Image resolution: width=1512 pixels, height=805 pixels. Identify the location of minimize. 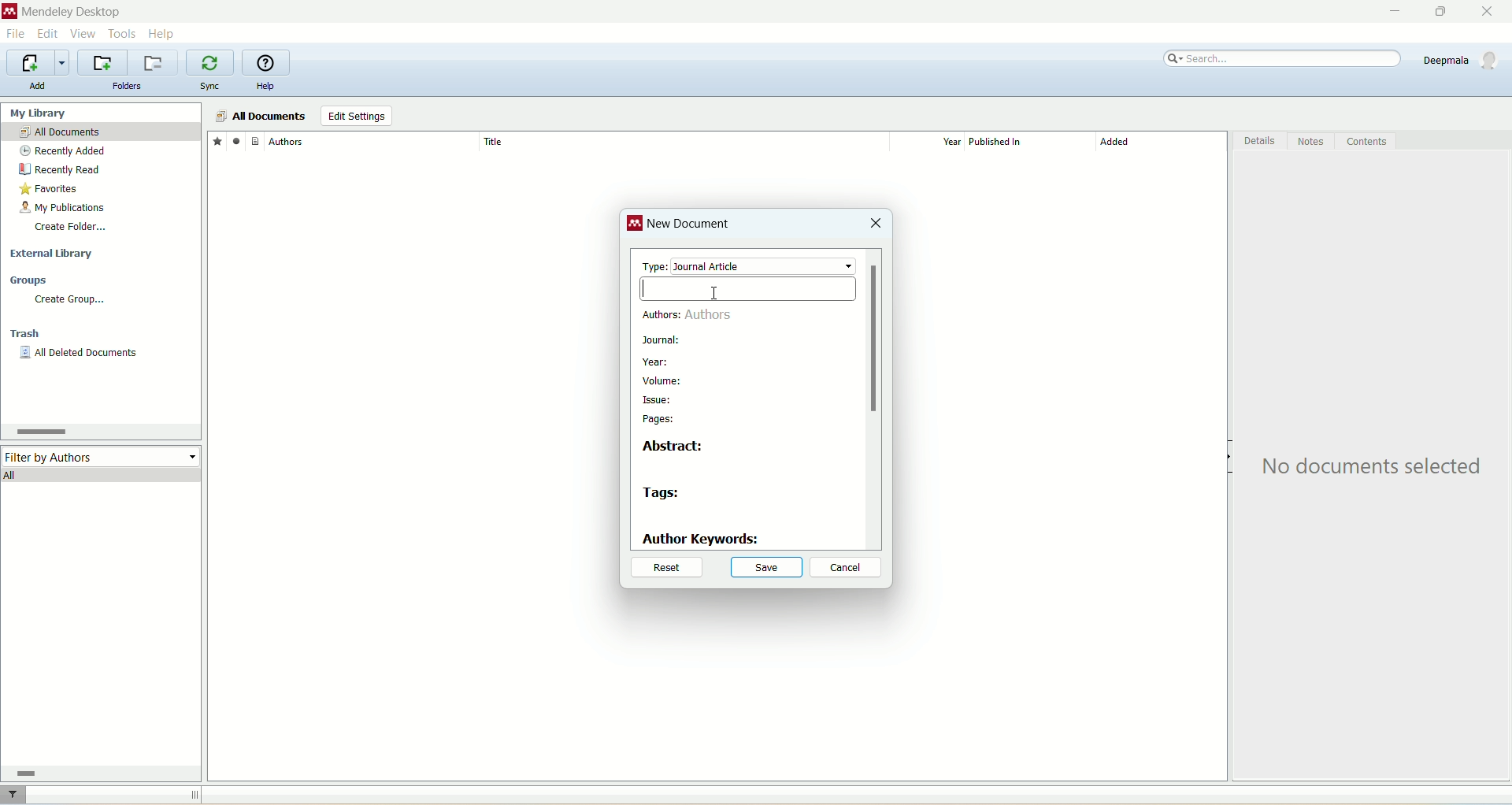
(1392, 12).